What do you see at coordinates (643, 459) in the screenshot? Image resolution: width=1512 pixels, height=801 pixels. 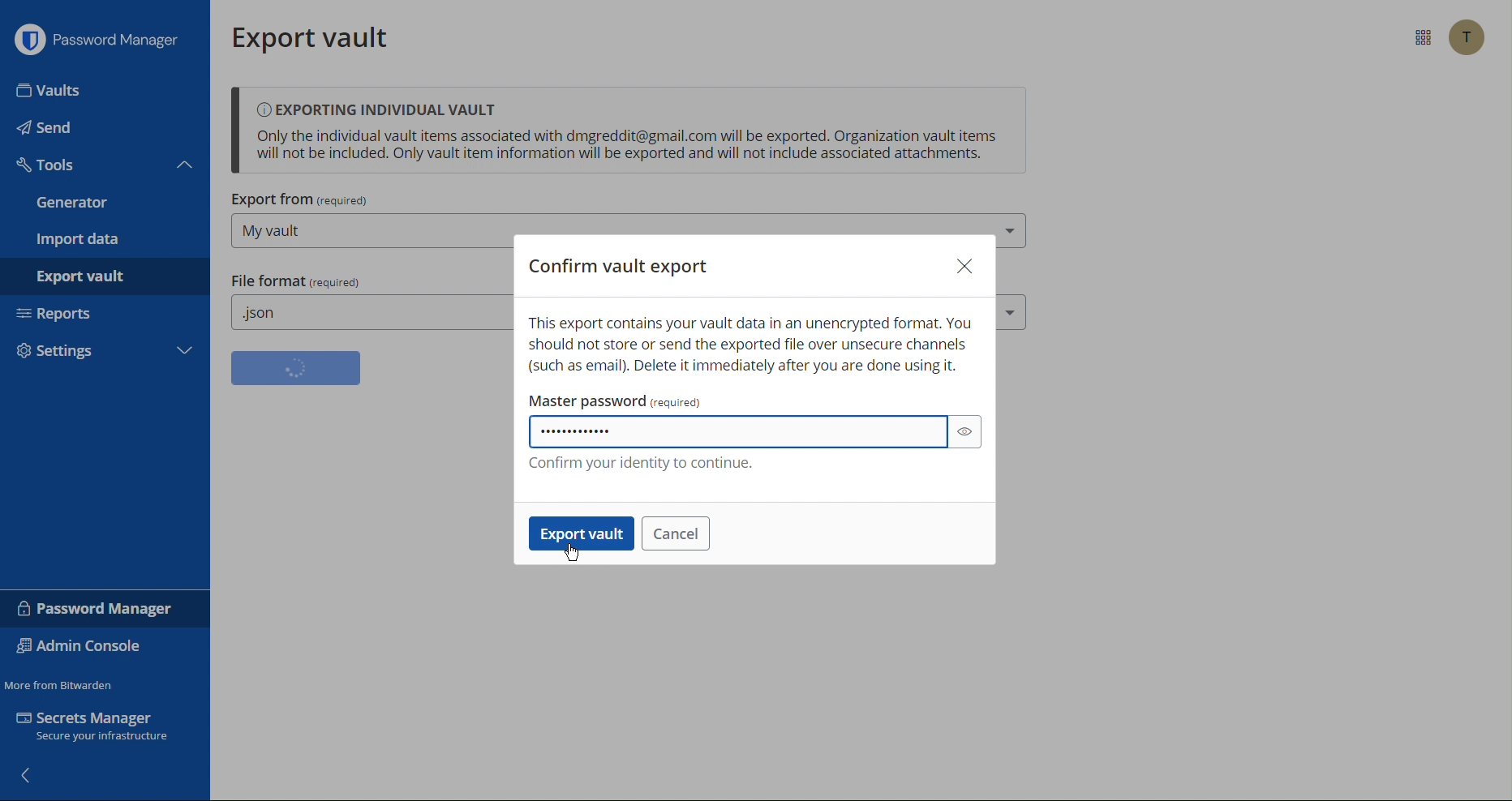 I see `Confirm your identity to continue` at bounding box center [643, 459].